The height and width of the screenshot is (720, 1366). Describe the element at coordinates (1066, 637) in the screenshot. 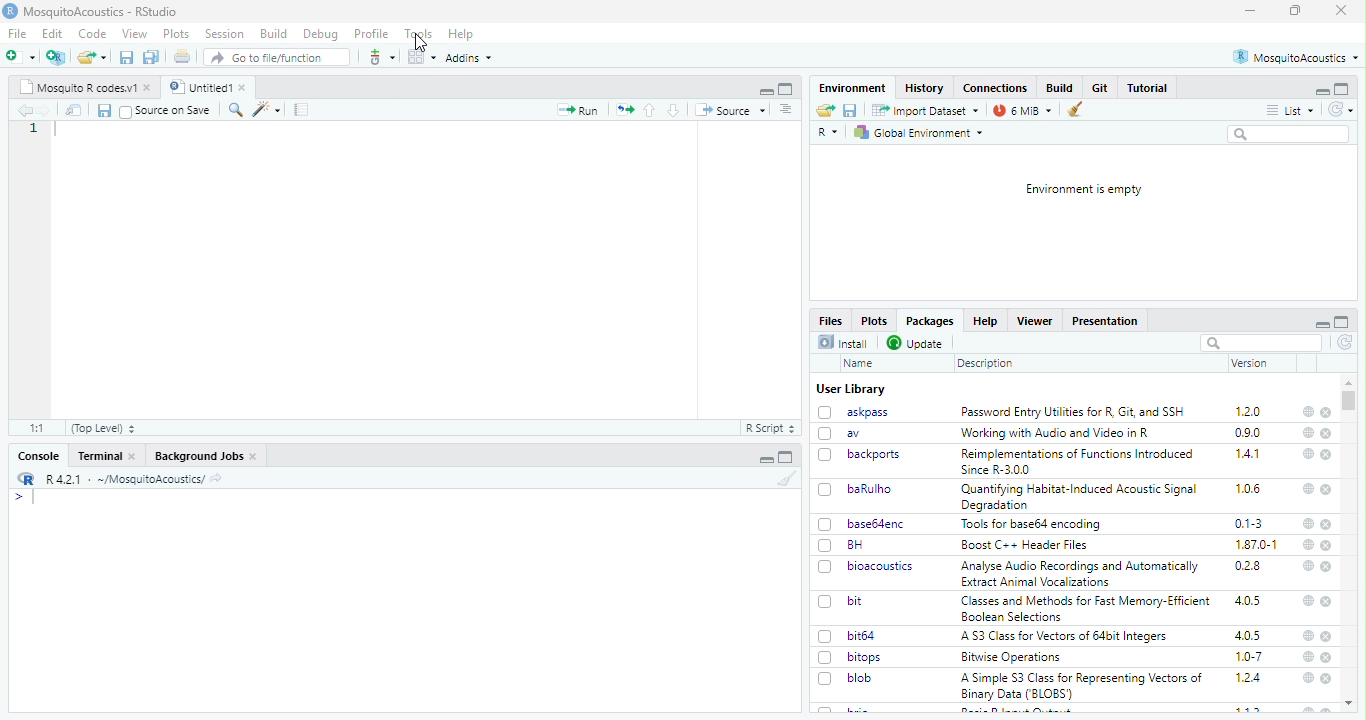

I see `A 'S3 Class for Vectors of 64bit Integers` at that location.